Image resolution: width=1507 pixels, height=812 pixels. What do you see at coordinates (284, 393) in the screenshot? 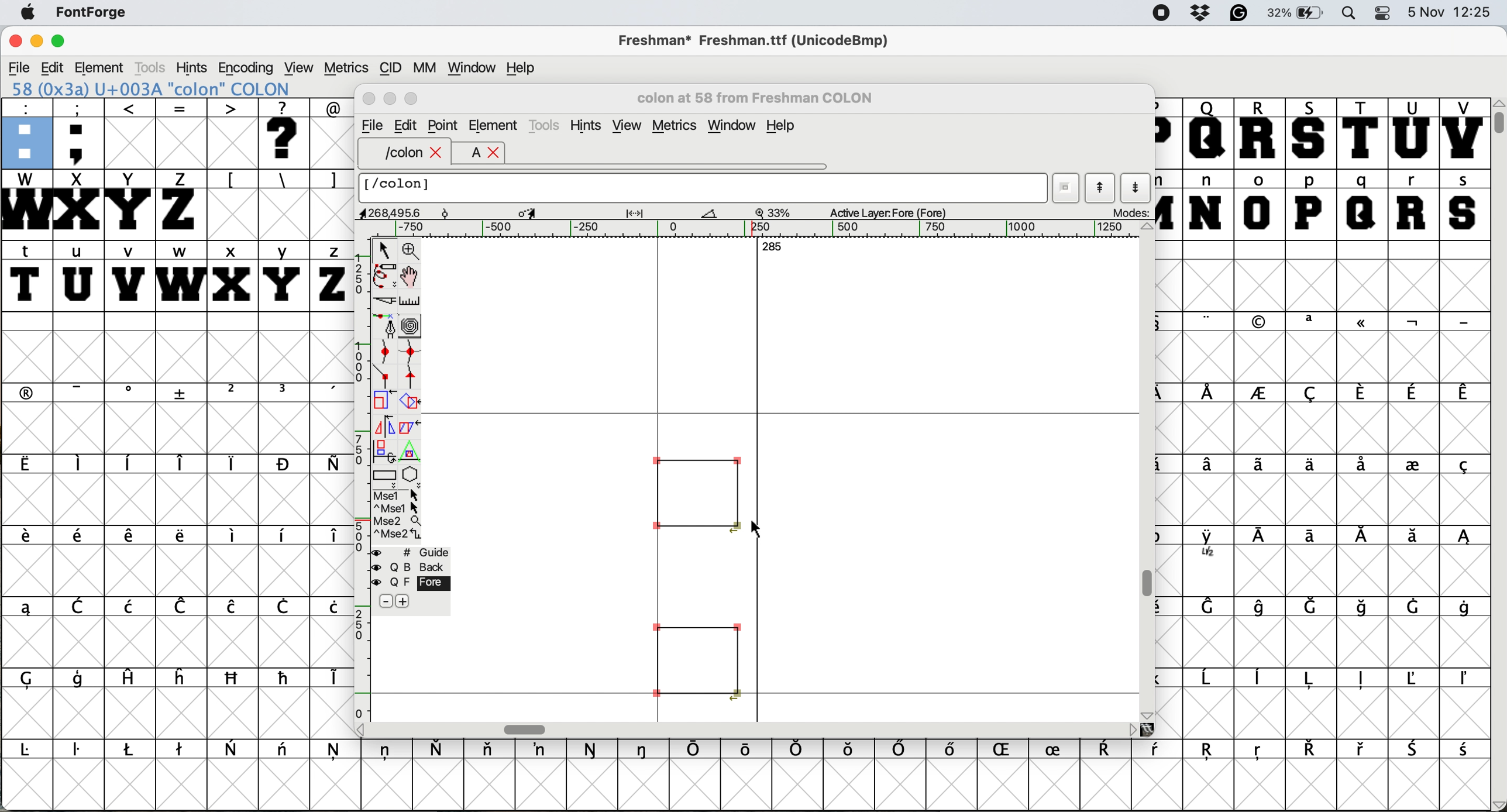
I see `symbol` at bounding box center [284, 393].